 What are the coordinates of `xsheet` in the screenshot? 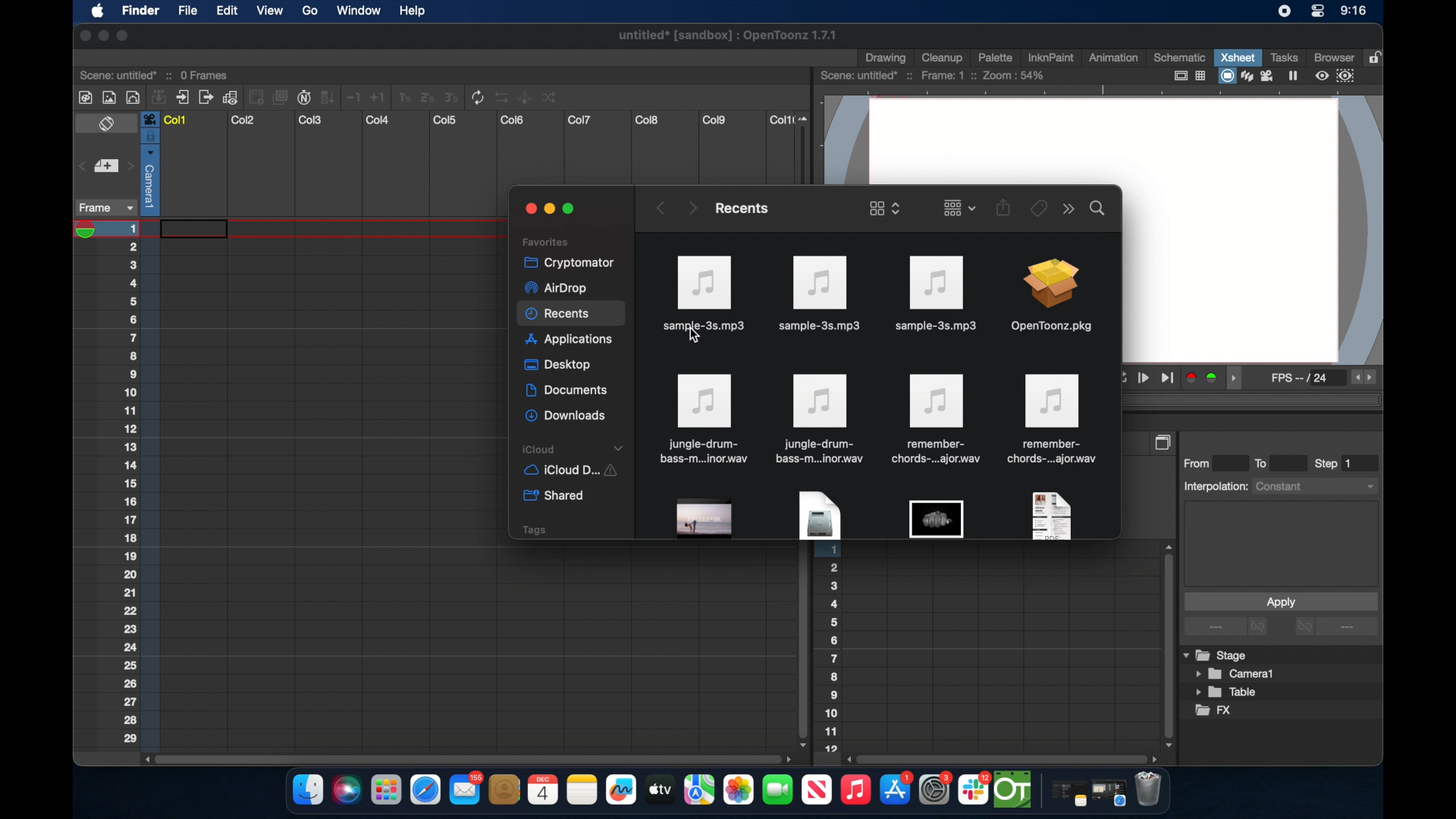 It's located at (1238, 57).